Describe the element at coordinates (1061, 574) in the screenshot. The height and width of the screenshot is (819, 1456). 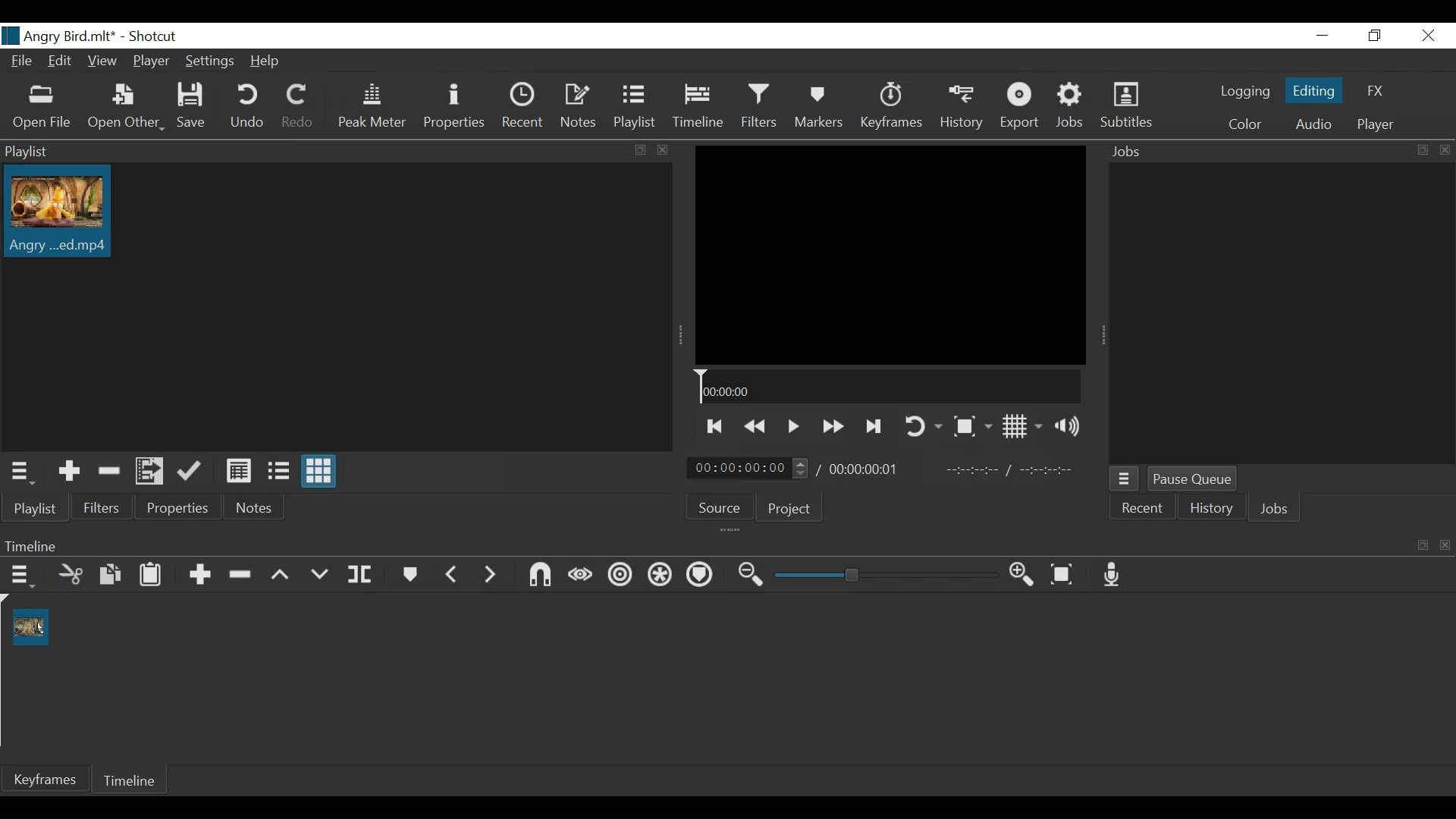
I see `Zoom timeline fit` at that location.